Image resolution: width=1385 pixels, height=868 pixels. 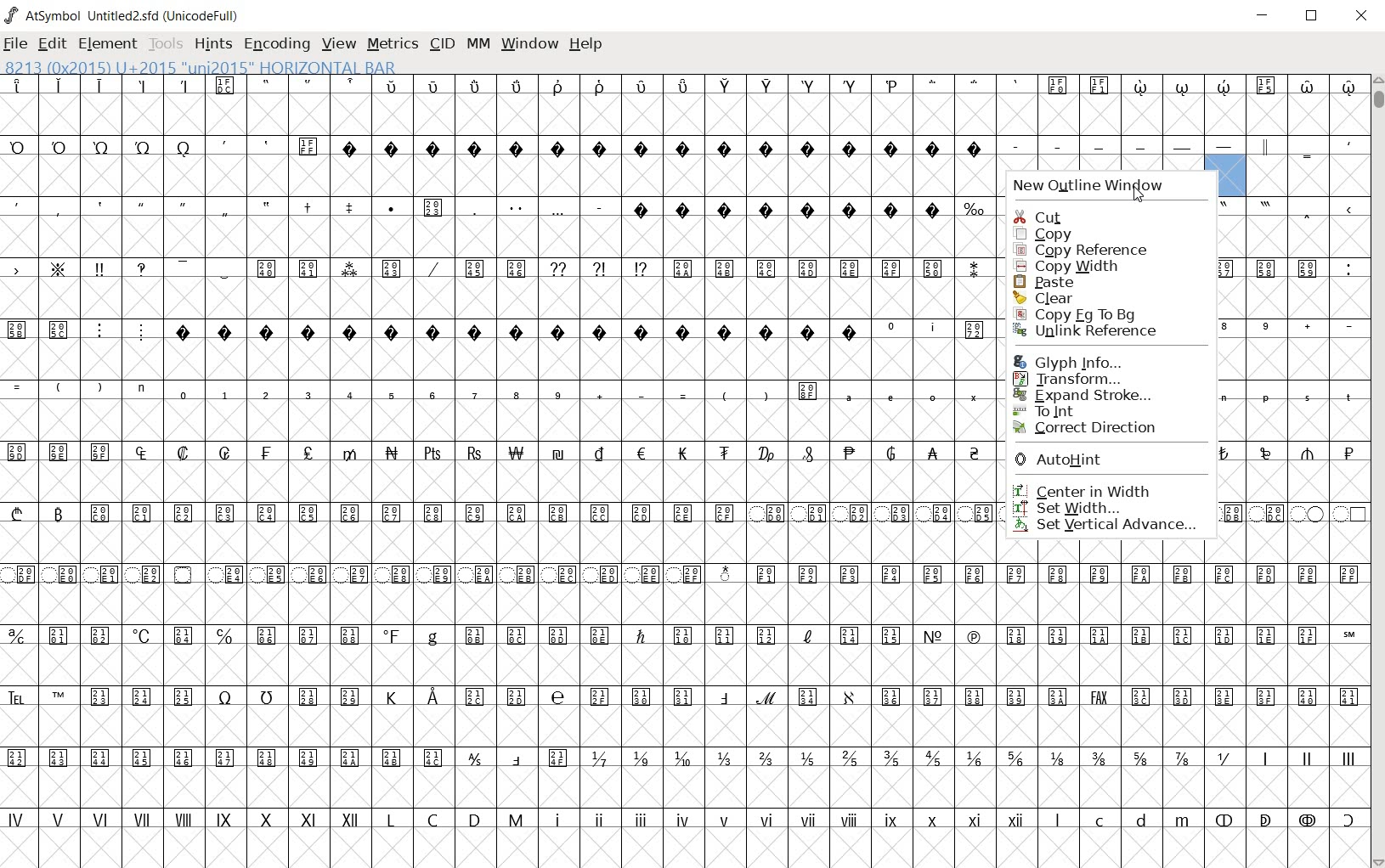 I want to click on CLOSE, so click(x=1363, y=19).